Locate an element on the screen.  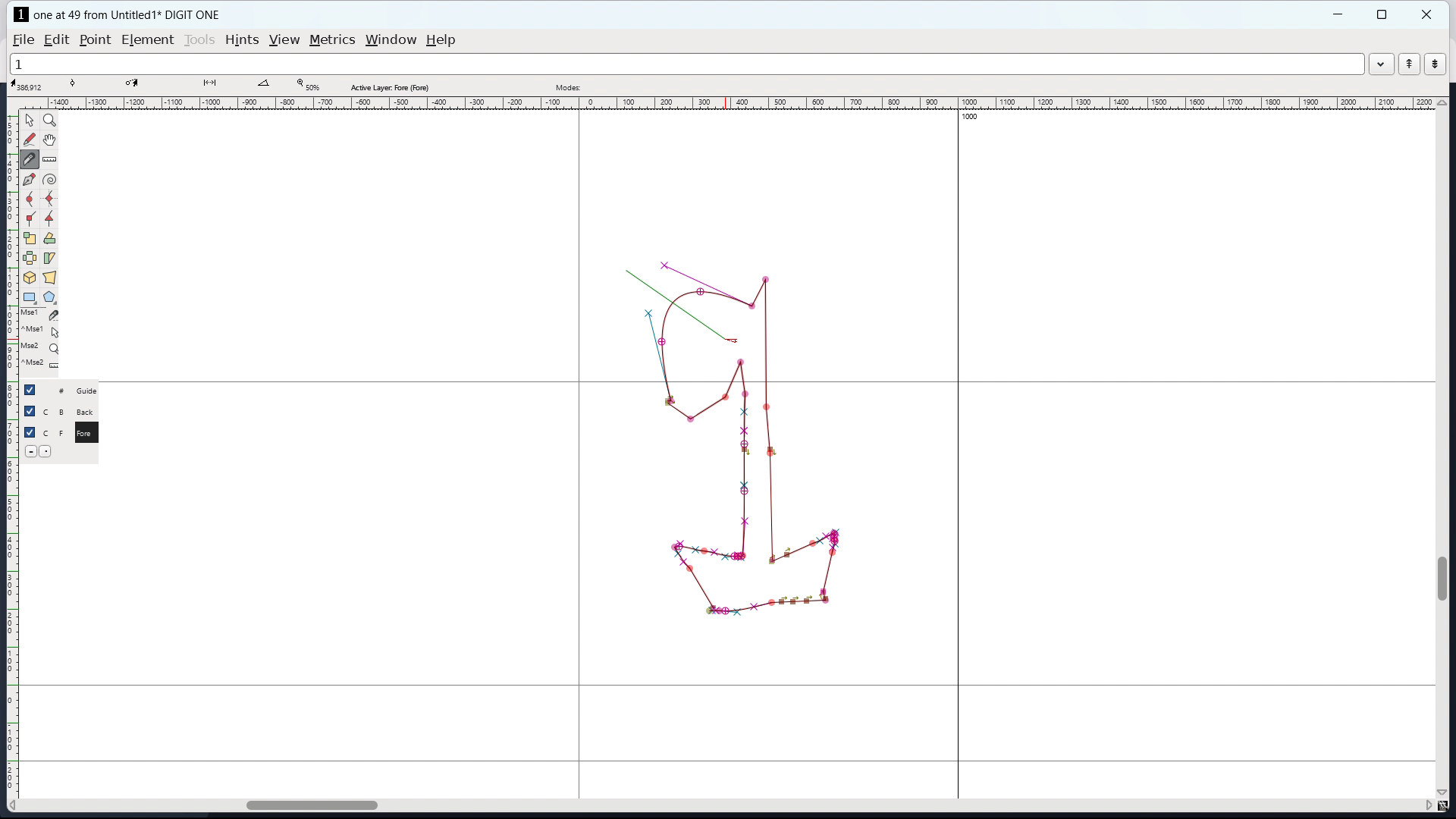
minimize is located at coordinates (1340, 14).